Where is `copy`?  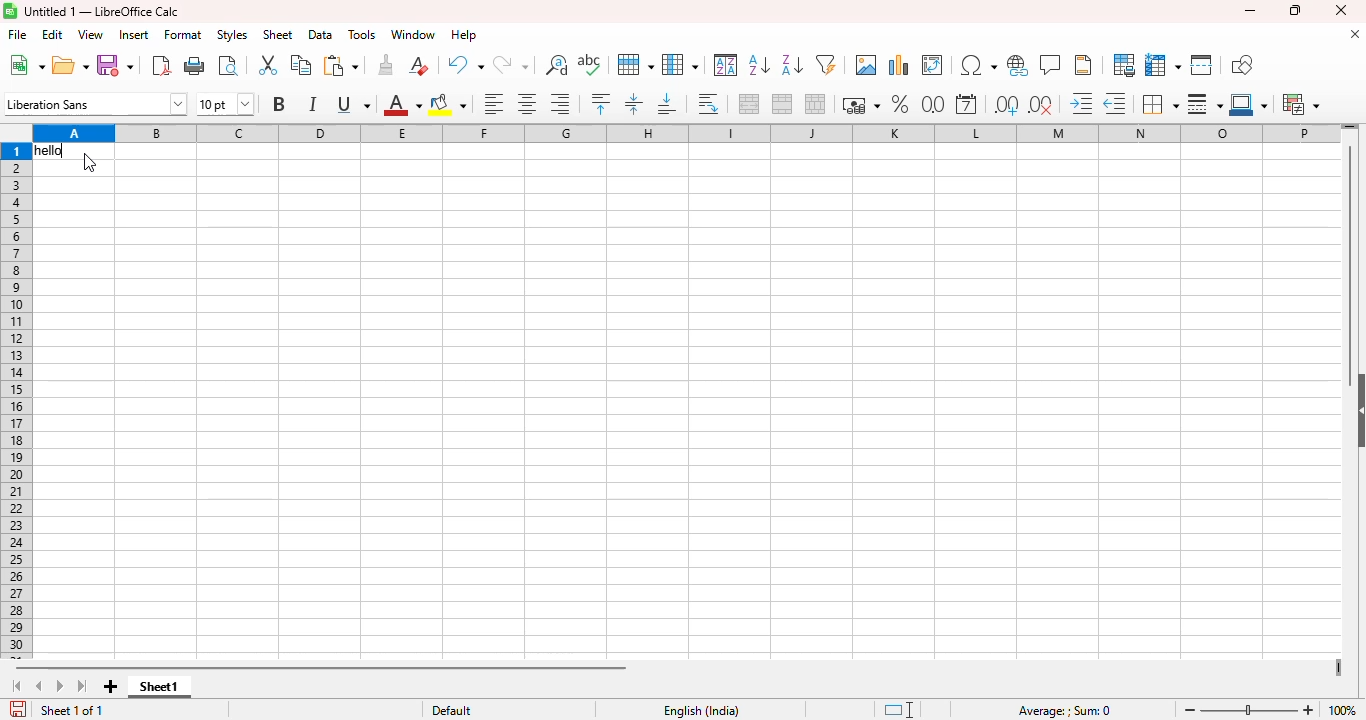
copy is located at coordinates (301, 64).